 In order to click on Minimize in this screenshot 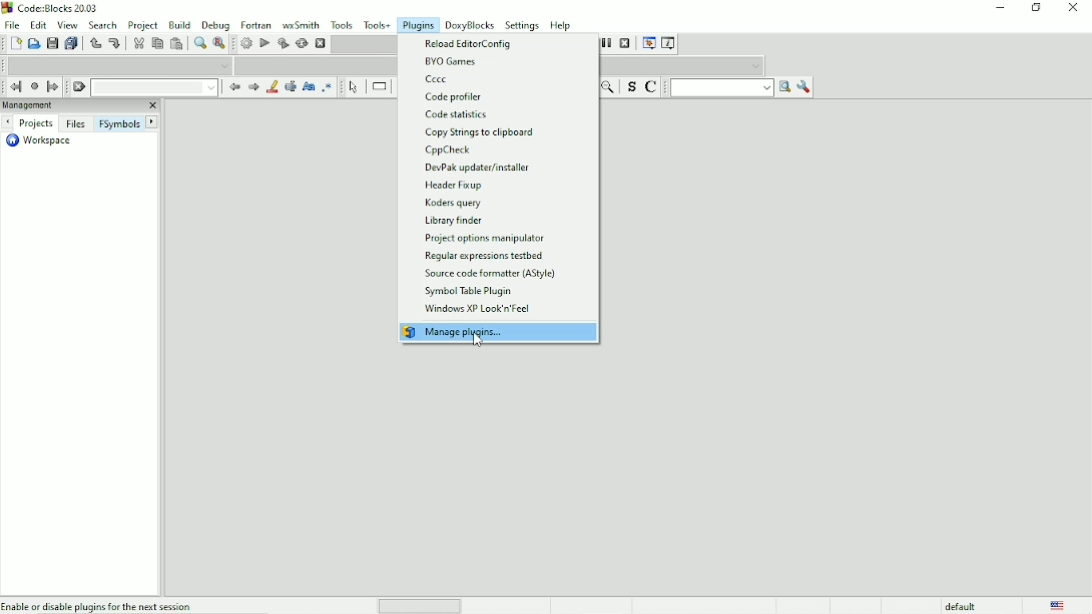, I will do `click(999, 8)`.